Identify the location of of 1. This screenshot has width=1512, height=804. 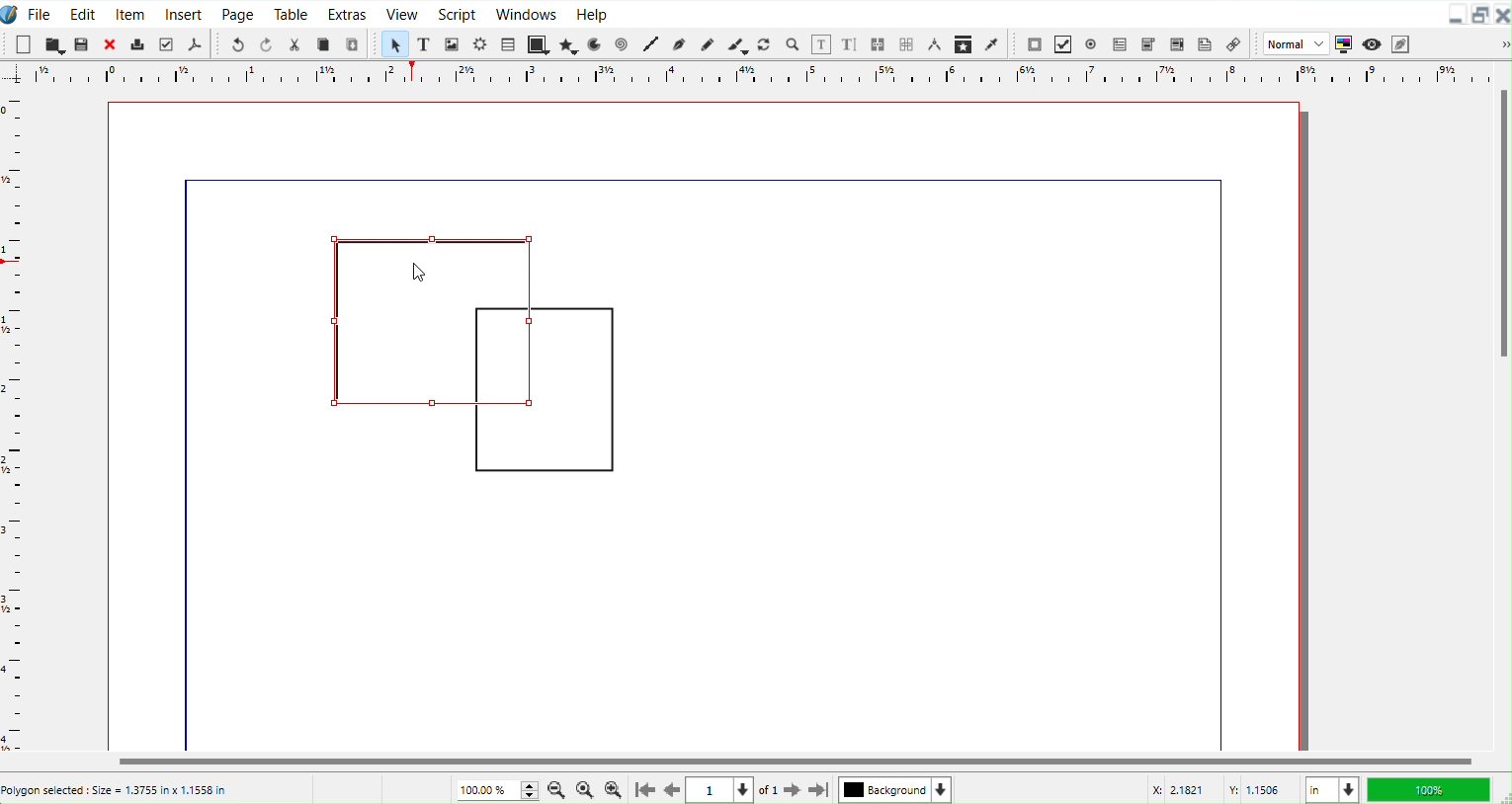
(768, 791).